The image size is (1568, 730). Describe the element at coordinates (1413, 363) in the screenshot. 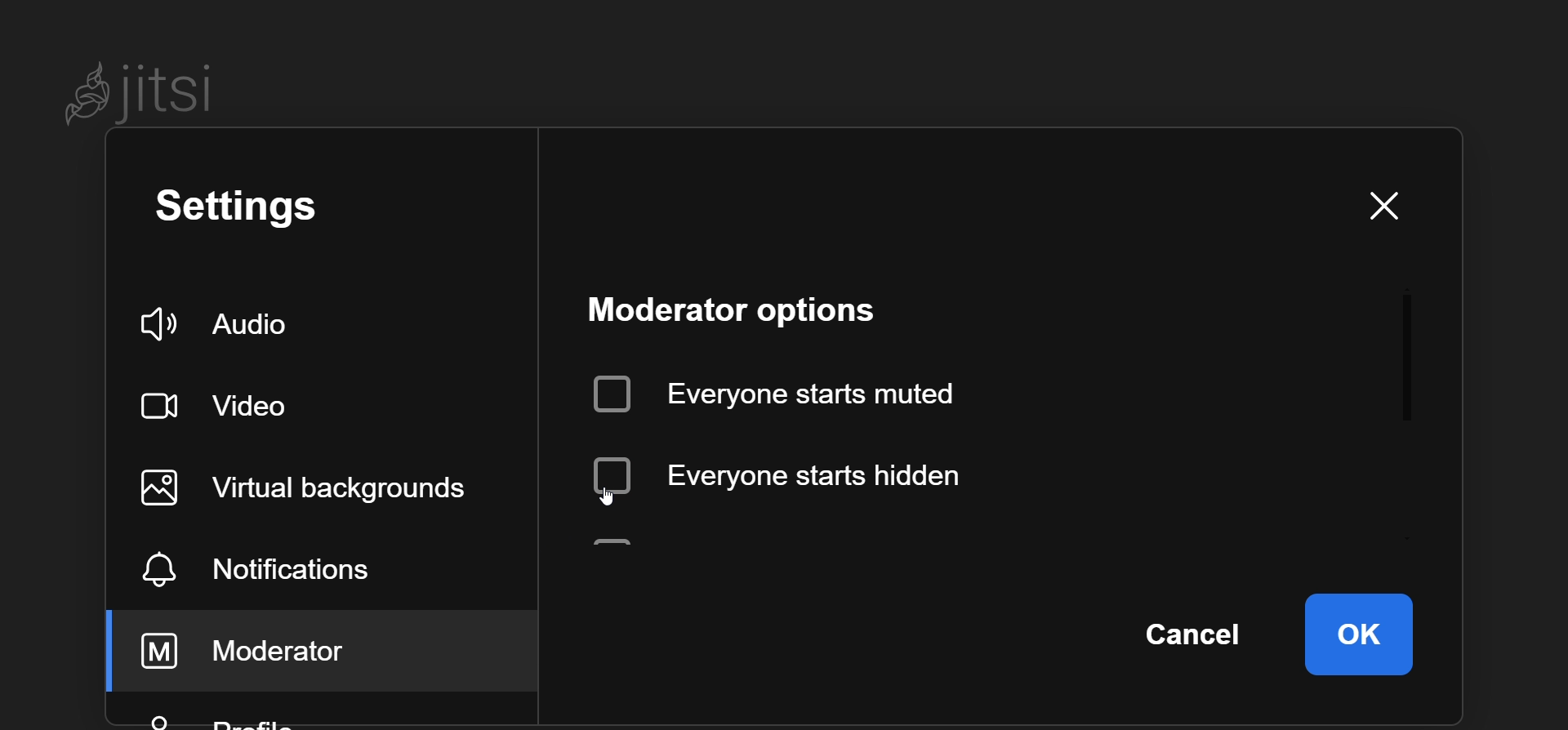

I see `scroll bar` at that location.